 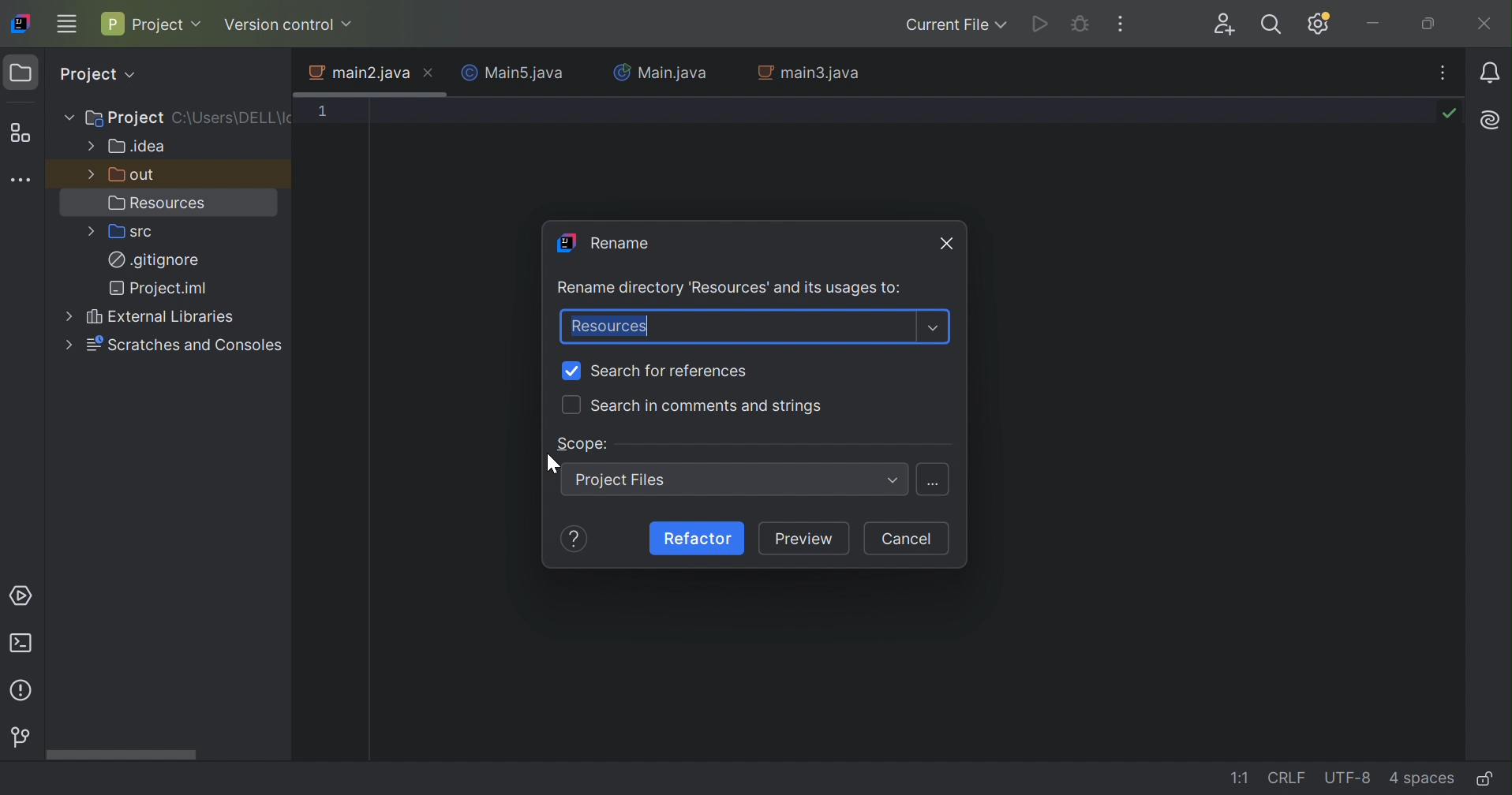 I want to click on Refactor, so click(x=698, y=537).